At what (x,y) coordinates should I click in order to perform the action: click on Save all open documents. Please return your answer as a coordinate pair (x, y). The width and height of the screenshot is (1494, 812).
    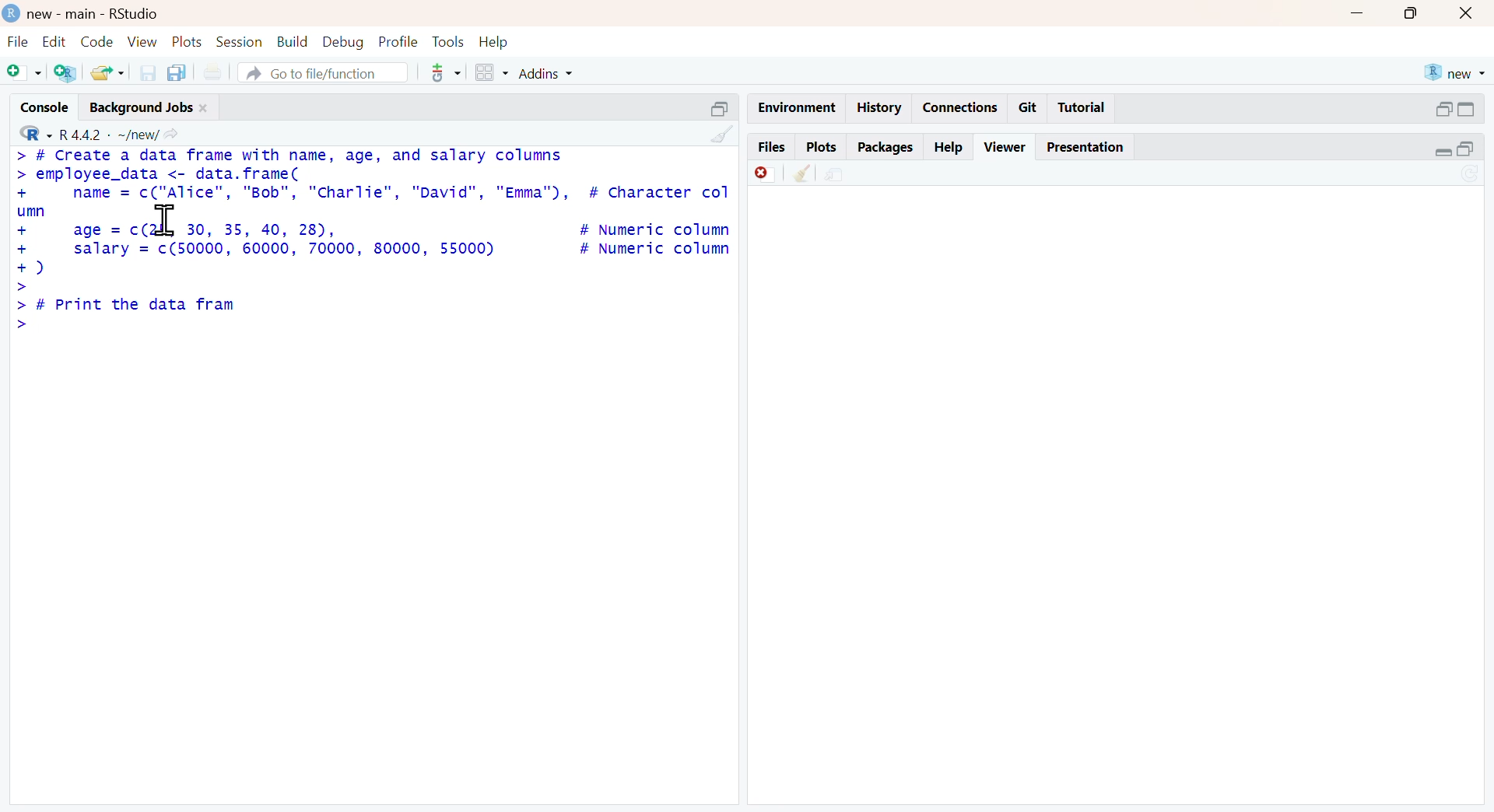
    Looking at the image, I should click on (181, 71).